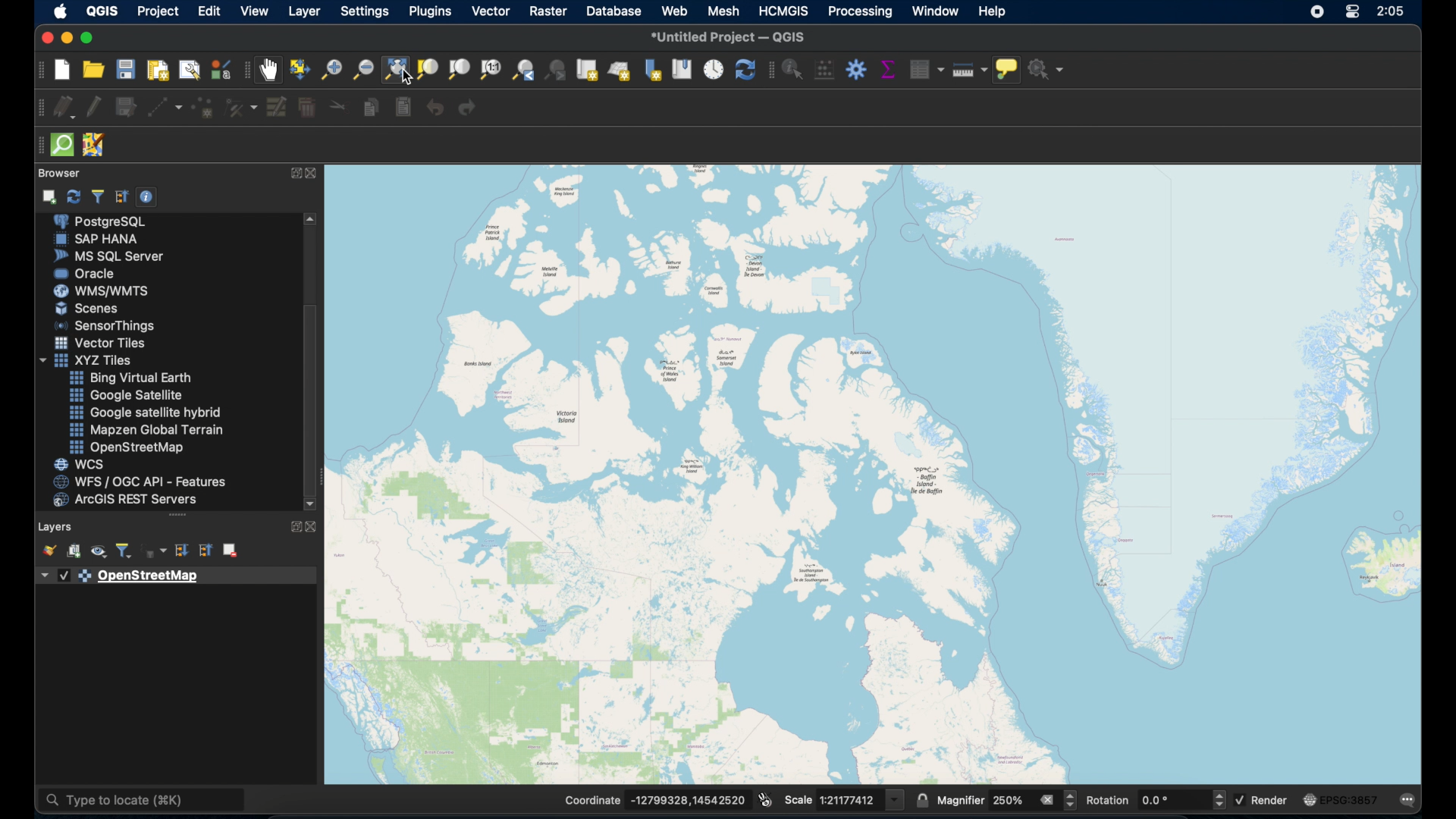  Describe the element at coordinates (271, 71) in the screenshot. I see `pan map` at that location.